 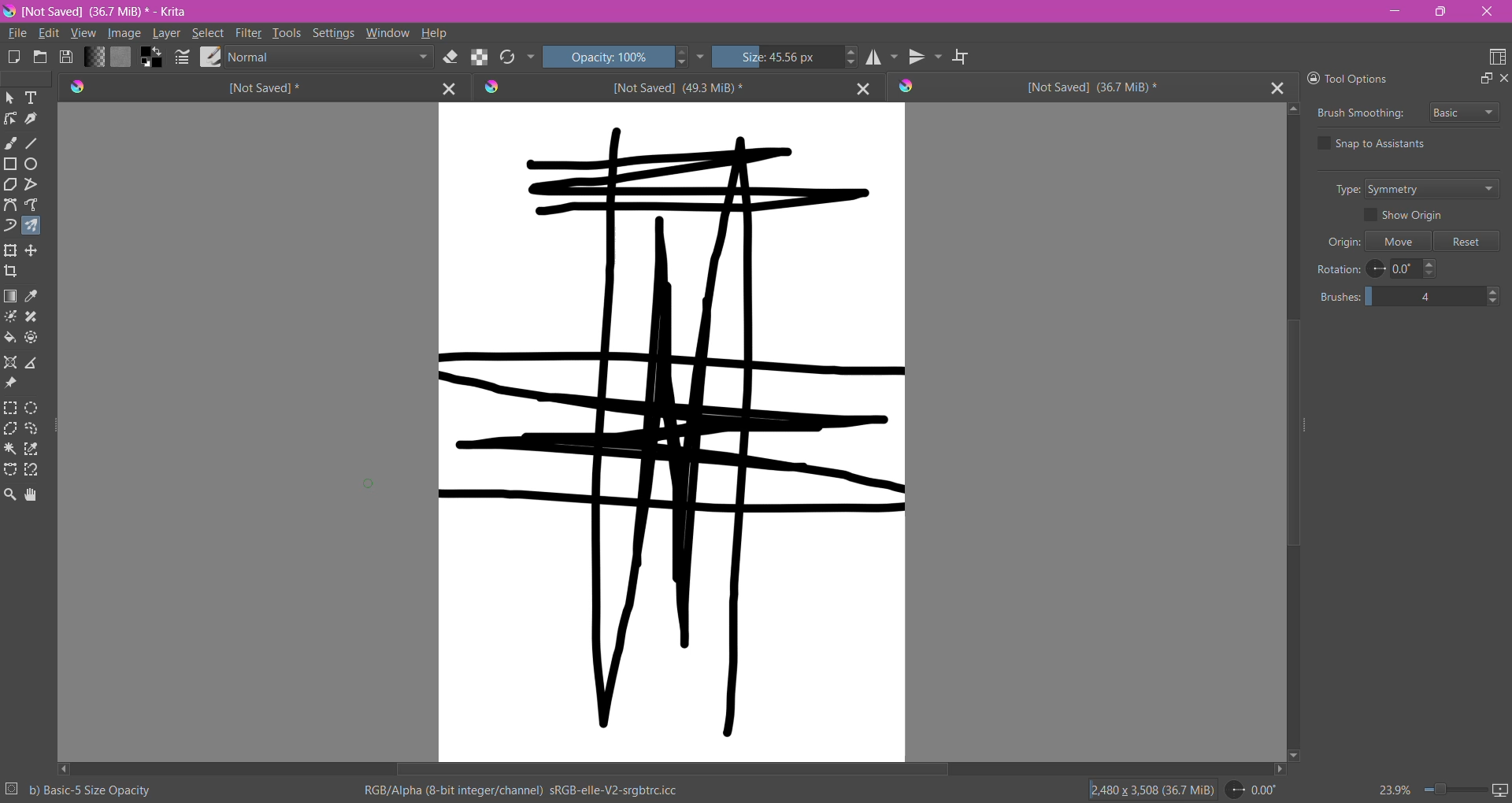 What do you see at coordinates (209, 57) in the screenshot?
I see `Choose Brush Preset` at bounding box center [209, 57].